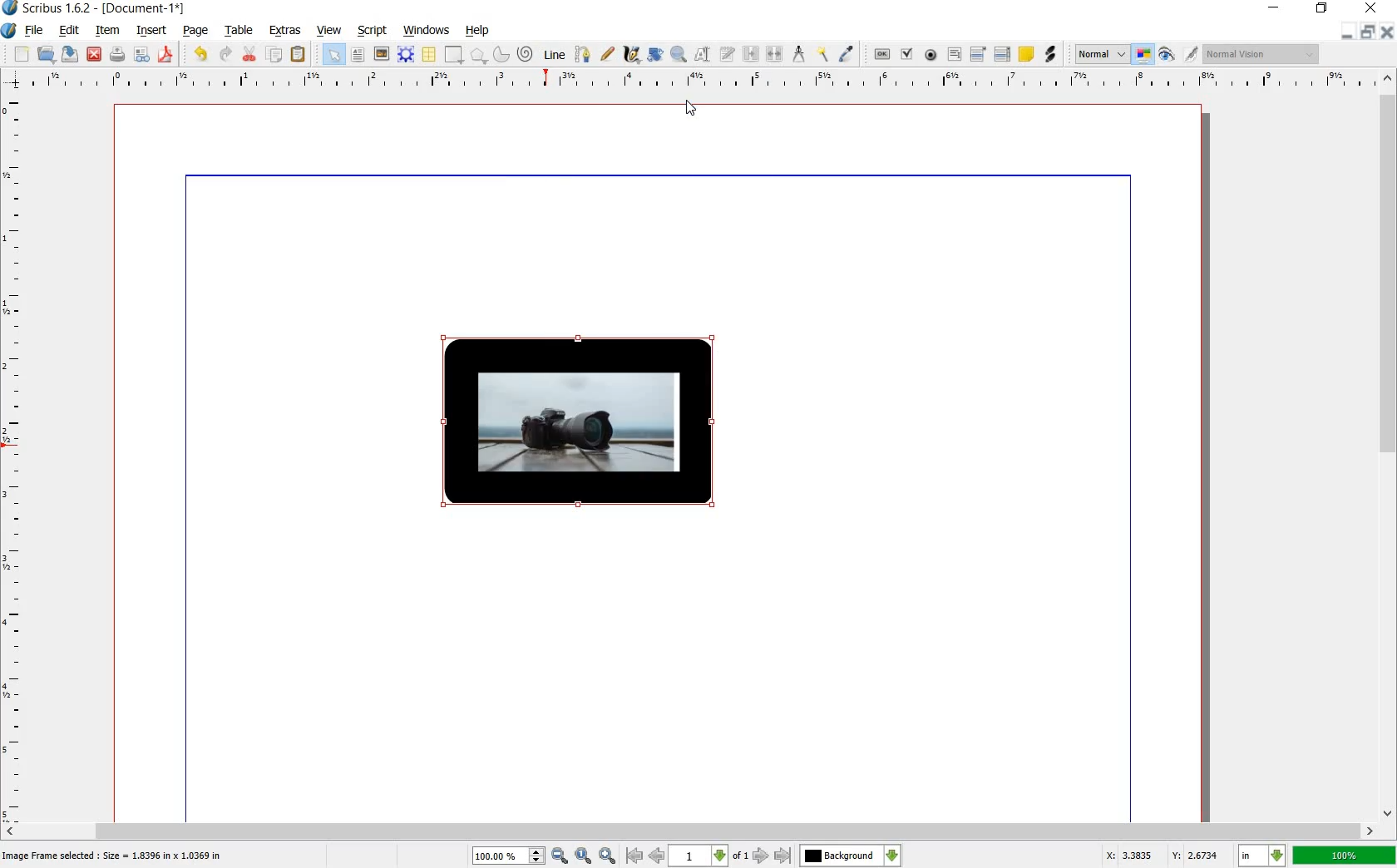  I want to click on measurements, so click(799, 53).